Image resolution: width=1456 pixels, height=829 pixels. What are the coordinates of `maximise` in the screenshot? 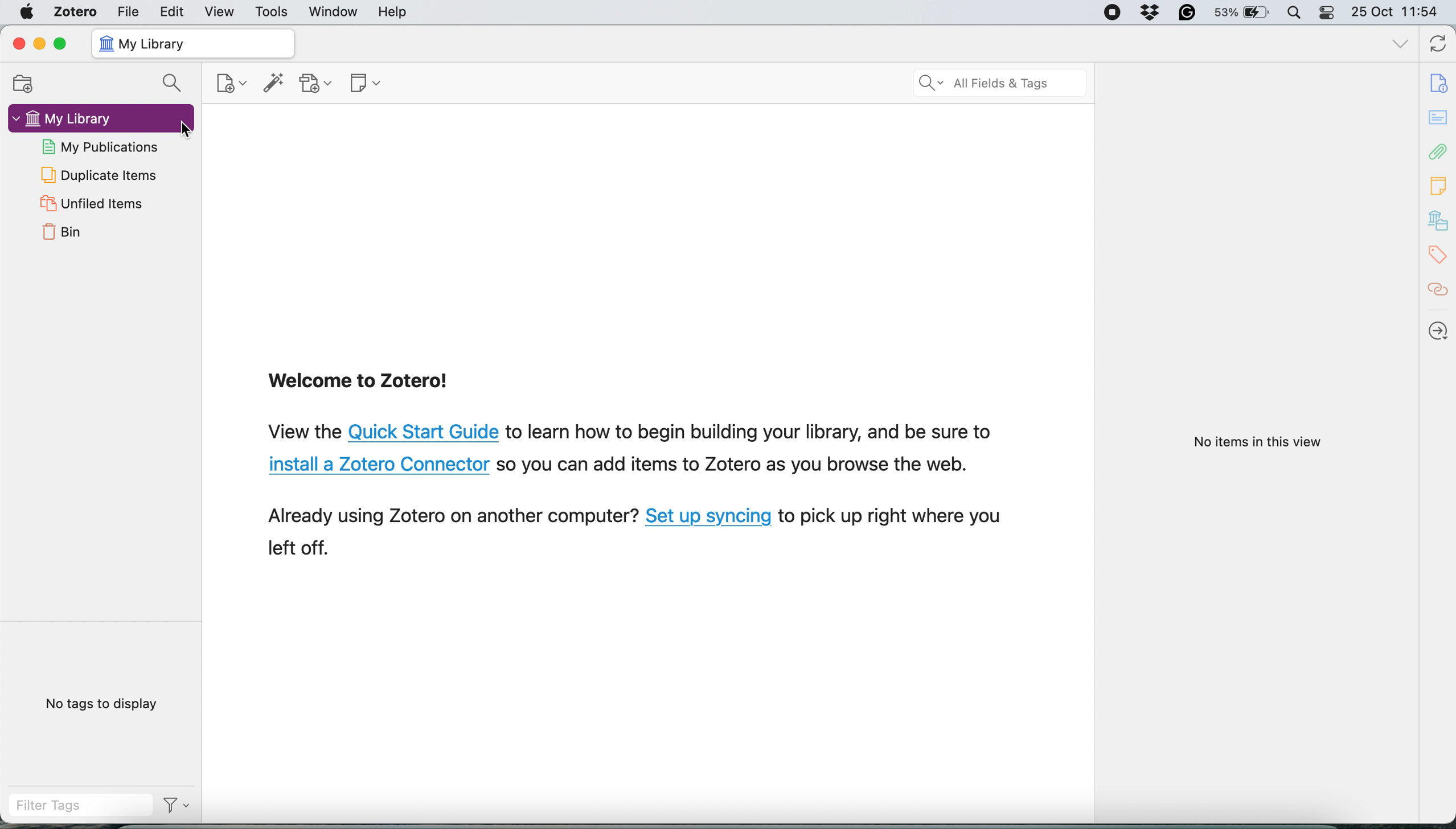 It's located at (61, 43).